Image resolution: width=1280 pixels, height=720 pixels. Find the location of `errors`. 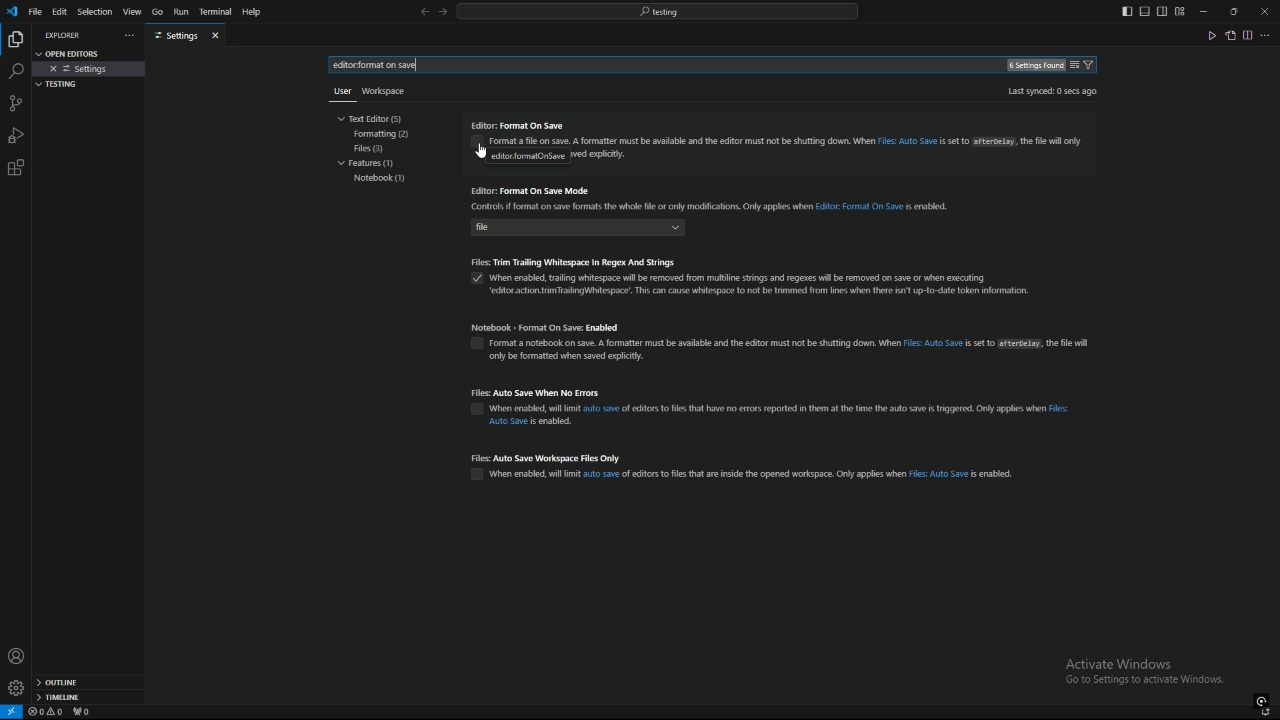

errors is located at coordinates (46, 712).